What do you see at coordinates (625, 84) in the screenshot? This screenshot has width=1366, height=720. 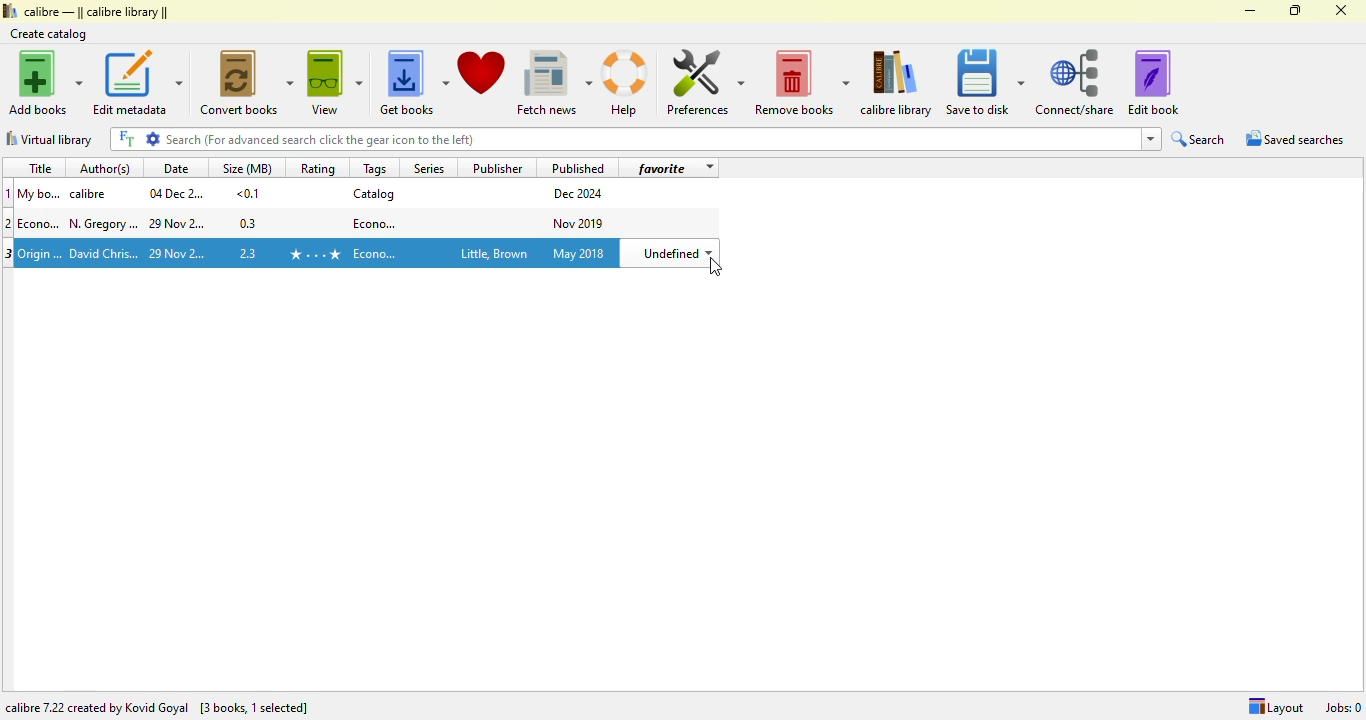 I see `help` at bounding box center [625, 84].